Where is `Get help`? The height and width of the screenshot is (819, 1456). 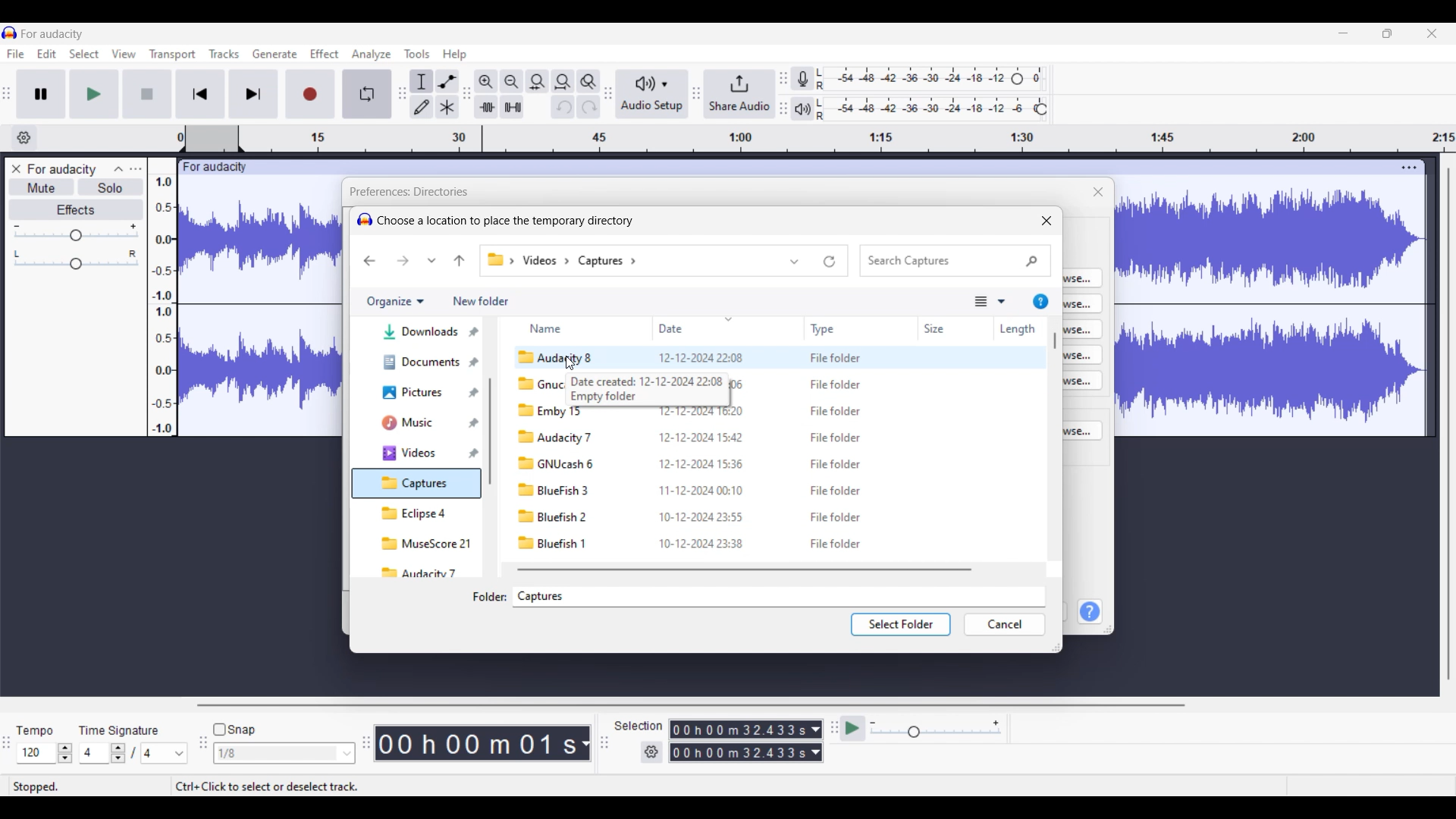 Get help is located at coordinates (1041, 301).